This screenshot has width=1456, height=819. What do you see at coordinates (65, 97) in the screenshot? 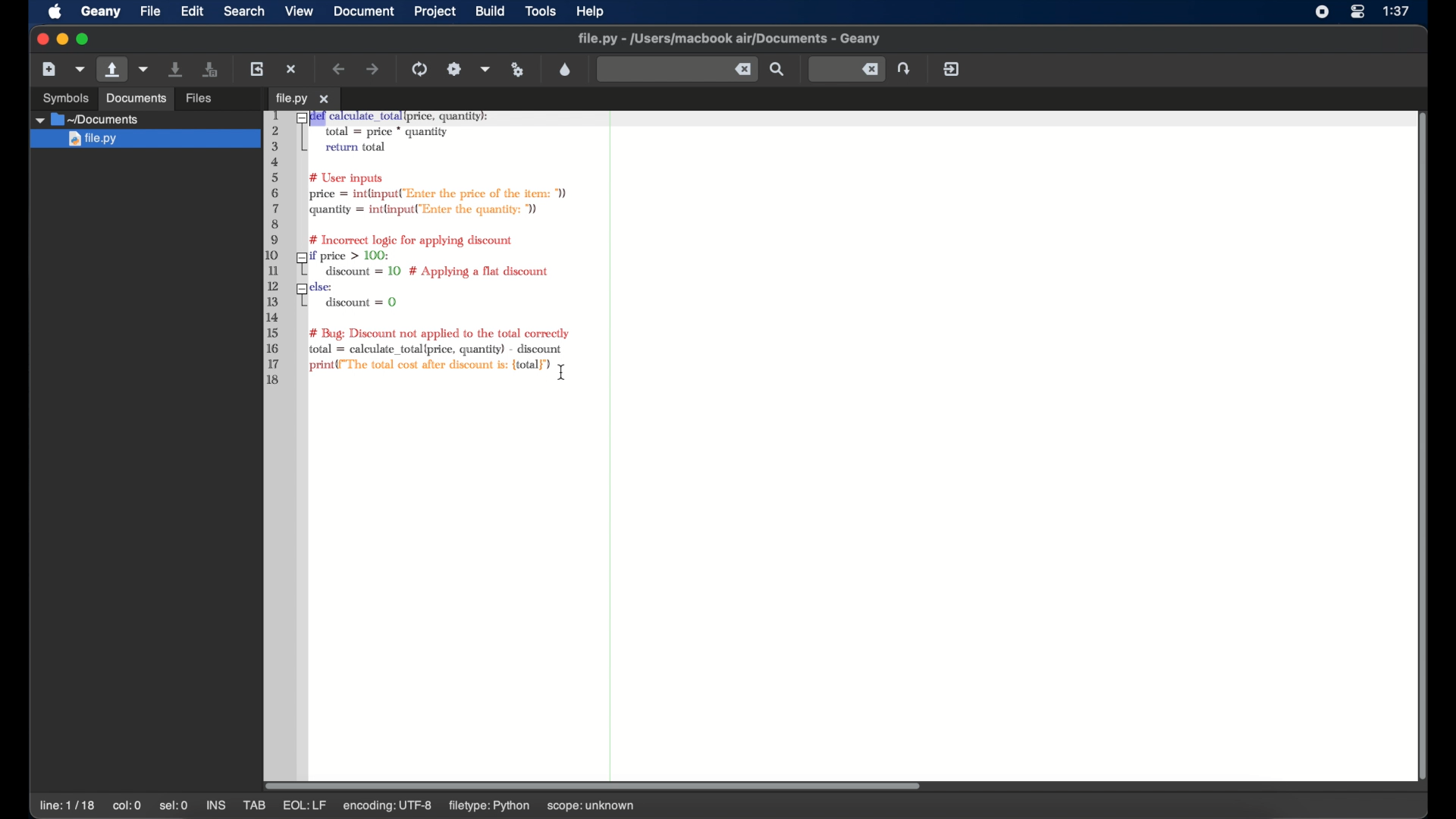
I see `symbols` at bounding box center [65, 97].